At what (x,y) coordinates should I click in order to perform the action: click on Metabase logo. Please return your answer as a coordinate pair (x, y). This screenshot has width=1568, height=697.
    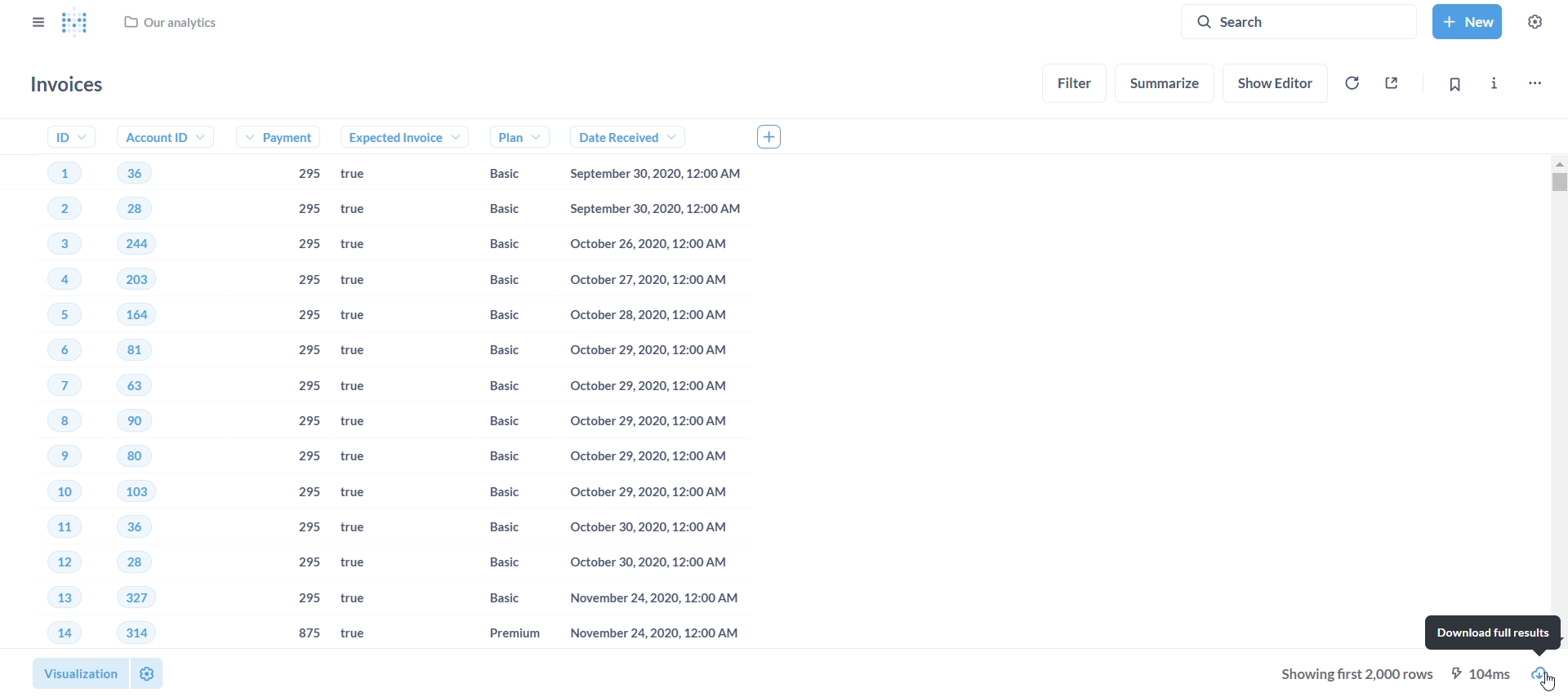
    Looking at the image, I should click on (74, 24).